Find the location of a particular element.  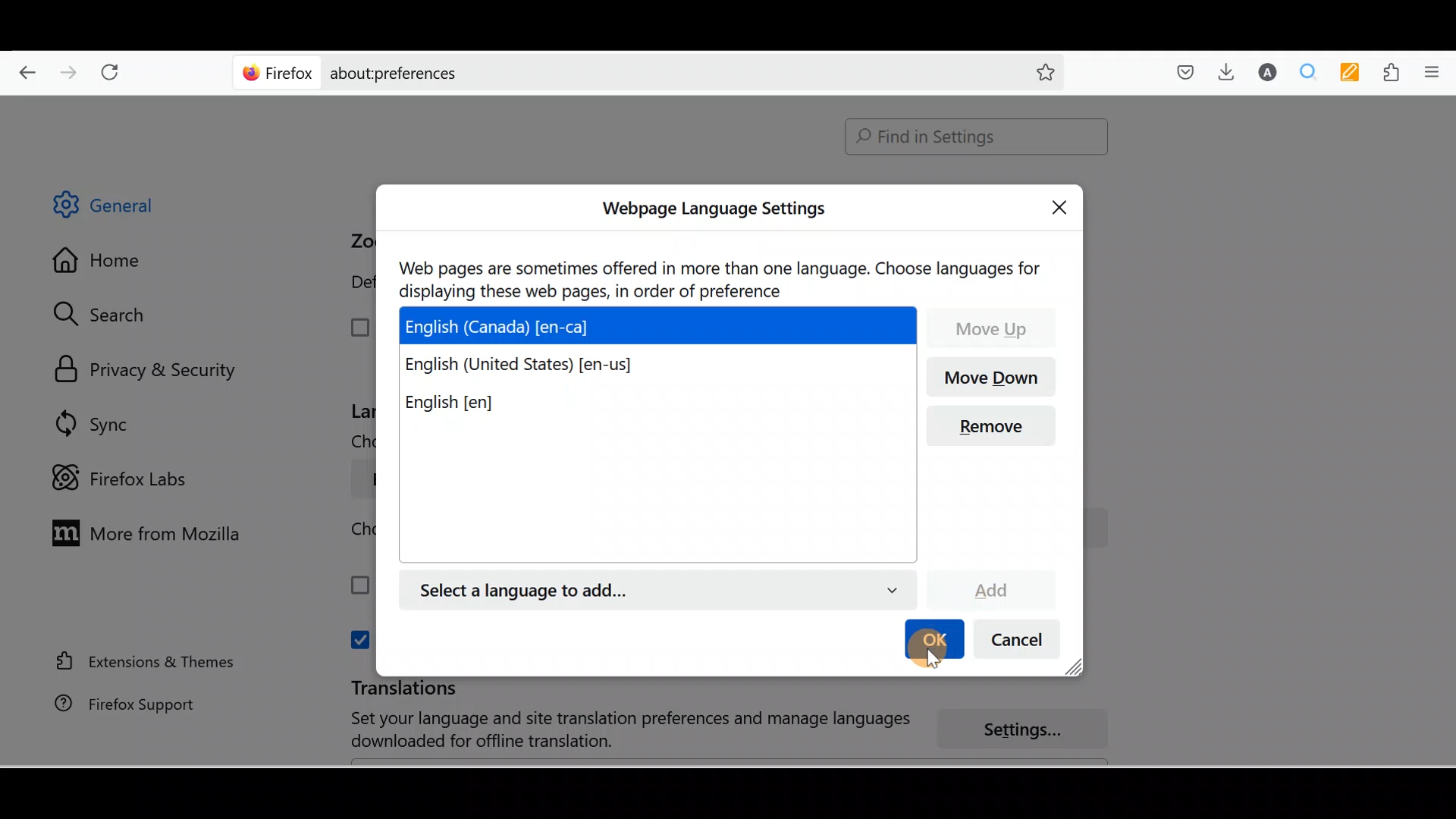

Scroll bar is located at coordinates (1445, 431).